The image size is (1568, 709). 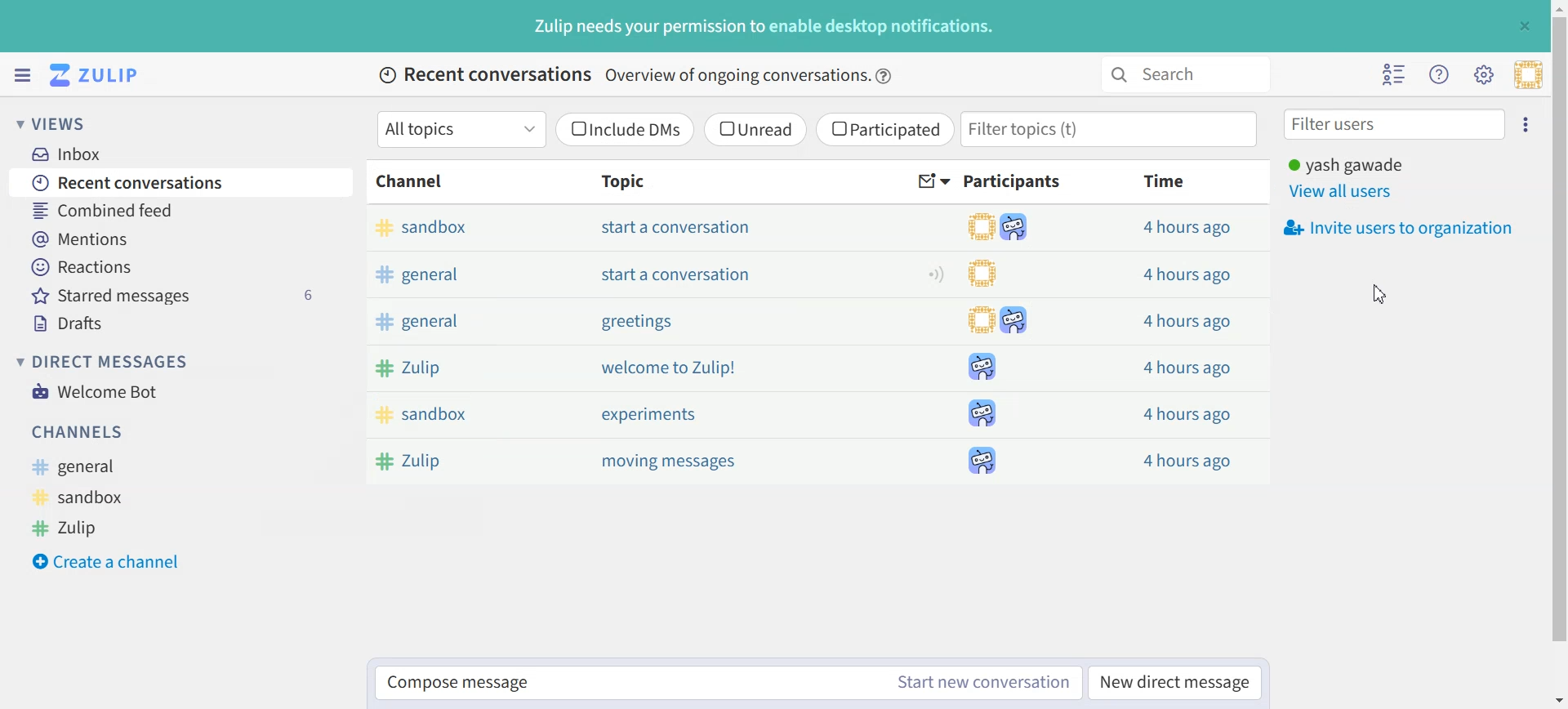 I want to click on Cursor, so click(x=1378, y=296).